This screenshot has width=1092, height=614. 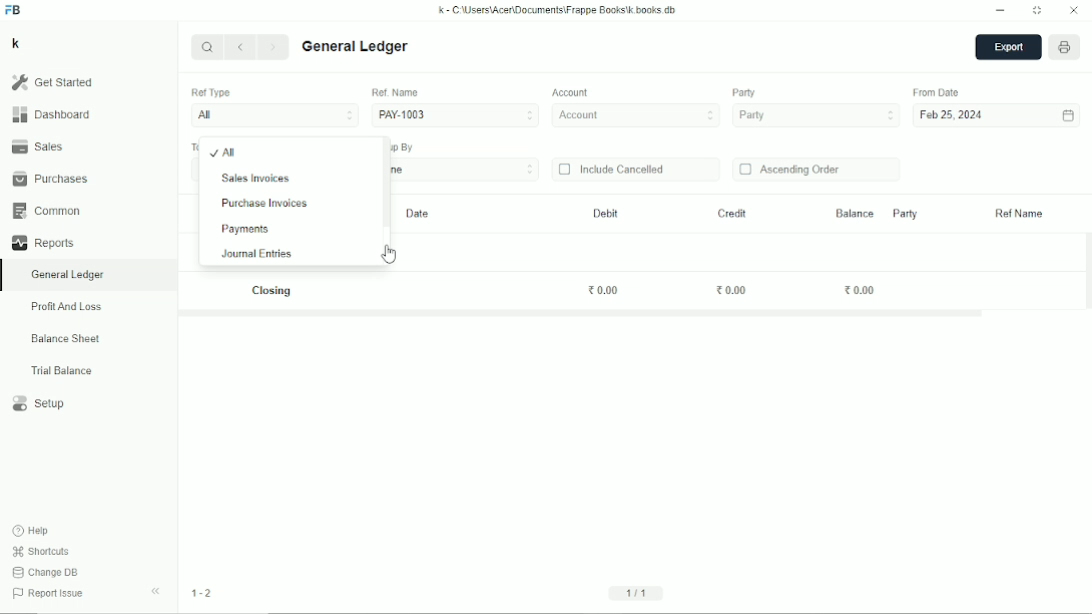 I want to click on 0.00, so click(x=732, y=291).